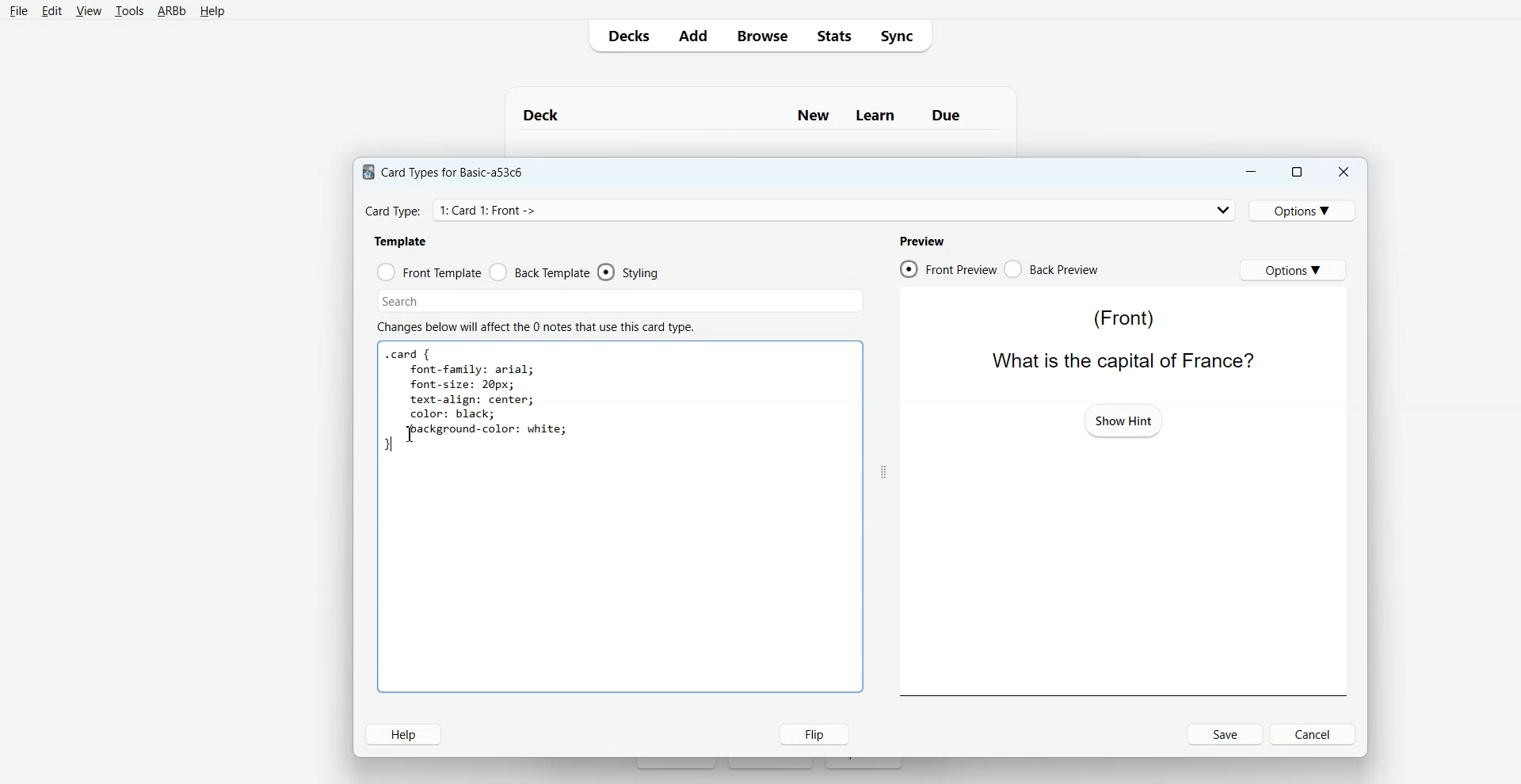 The width and height of the screenshot is (1521, 784). What do you see at coordinates (477, 402) in the screenshot?
I see `.card {
font-family: arial;
font-size: 20px;
text-align: center;
color: black;

| Jpackground-color: white;

i` at bounding box center [477, 402].